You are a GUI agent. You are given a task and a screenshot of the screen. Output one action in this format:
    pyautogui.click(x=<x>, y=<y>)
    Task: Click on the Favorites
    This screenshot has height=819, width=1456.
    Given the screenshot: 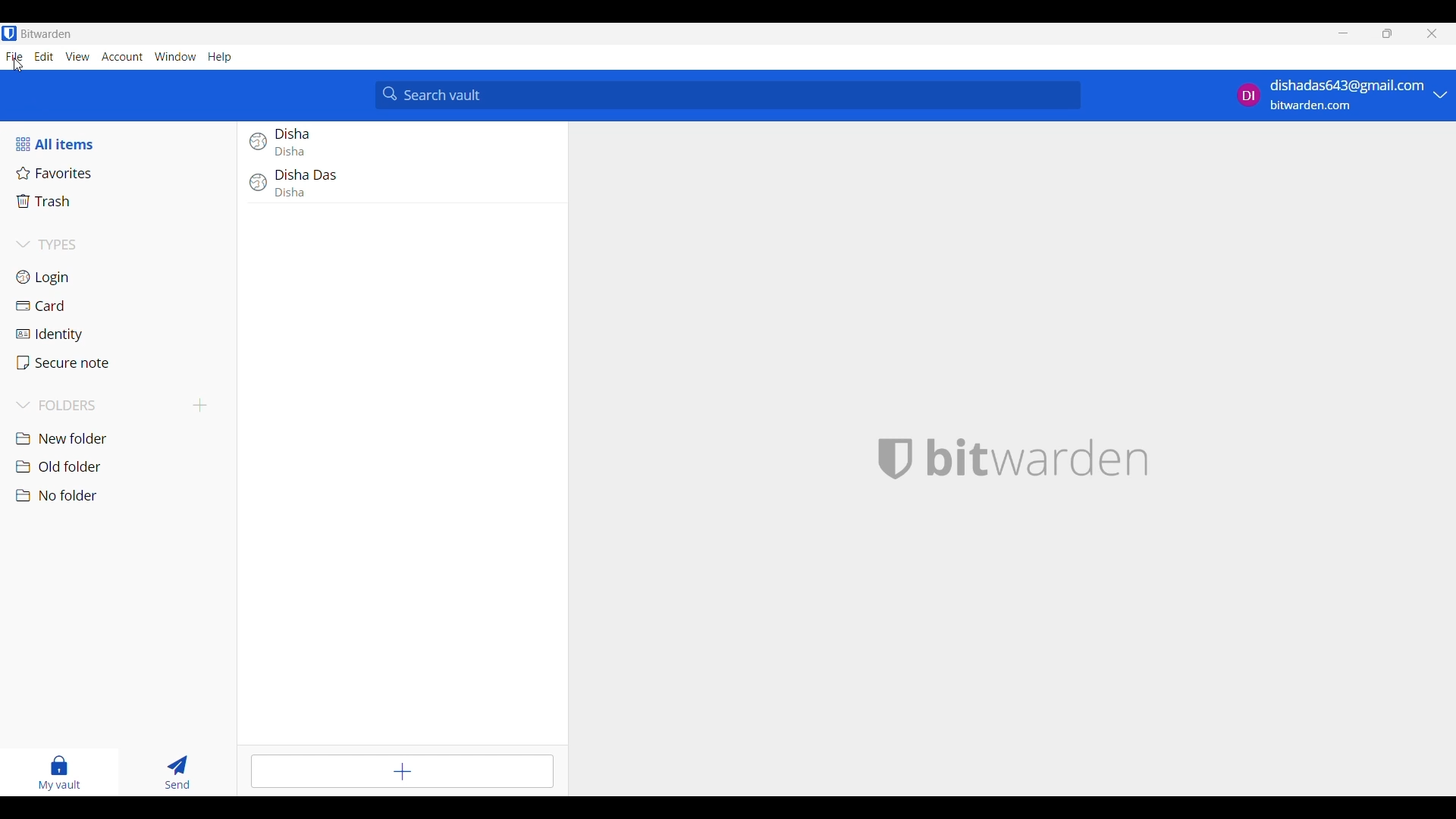 What is the action you would take?
    pyautogui.click(x=121, y=173)
    